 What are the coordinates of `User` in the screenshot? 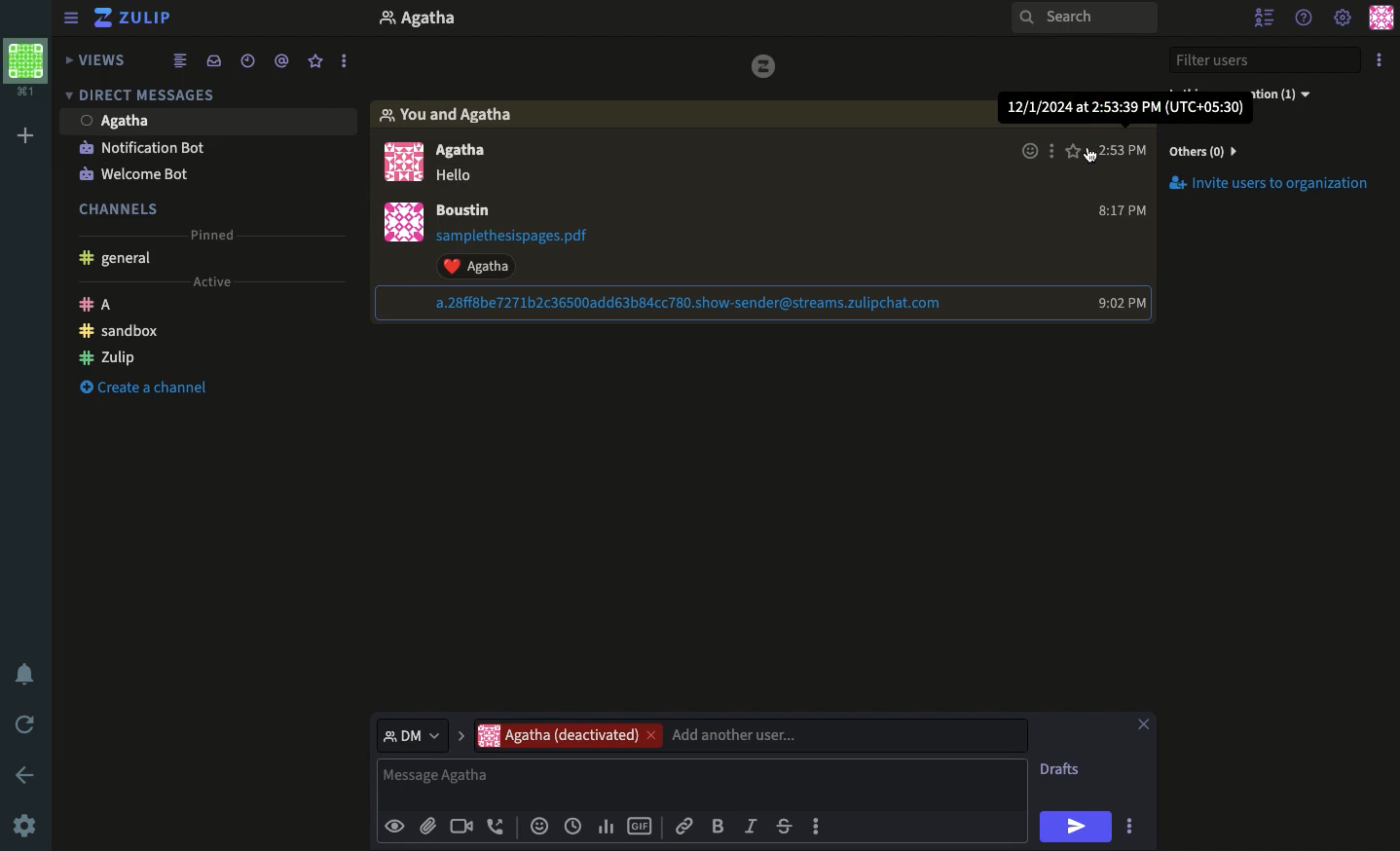 It's located at (212, 120).